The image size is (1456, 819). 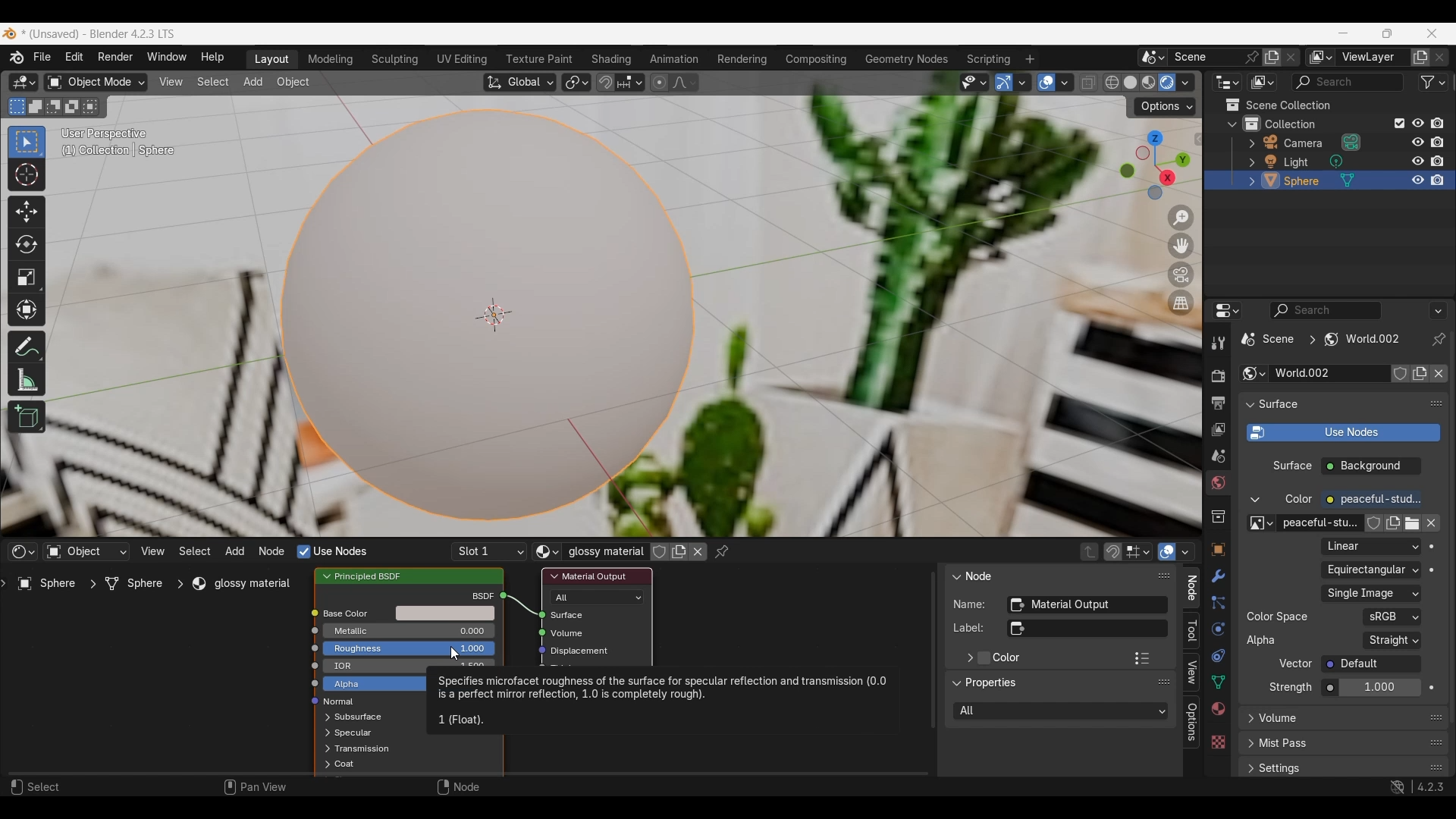 I want to click on Help, so click(x=213, y=58).